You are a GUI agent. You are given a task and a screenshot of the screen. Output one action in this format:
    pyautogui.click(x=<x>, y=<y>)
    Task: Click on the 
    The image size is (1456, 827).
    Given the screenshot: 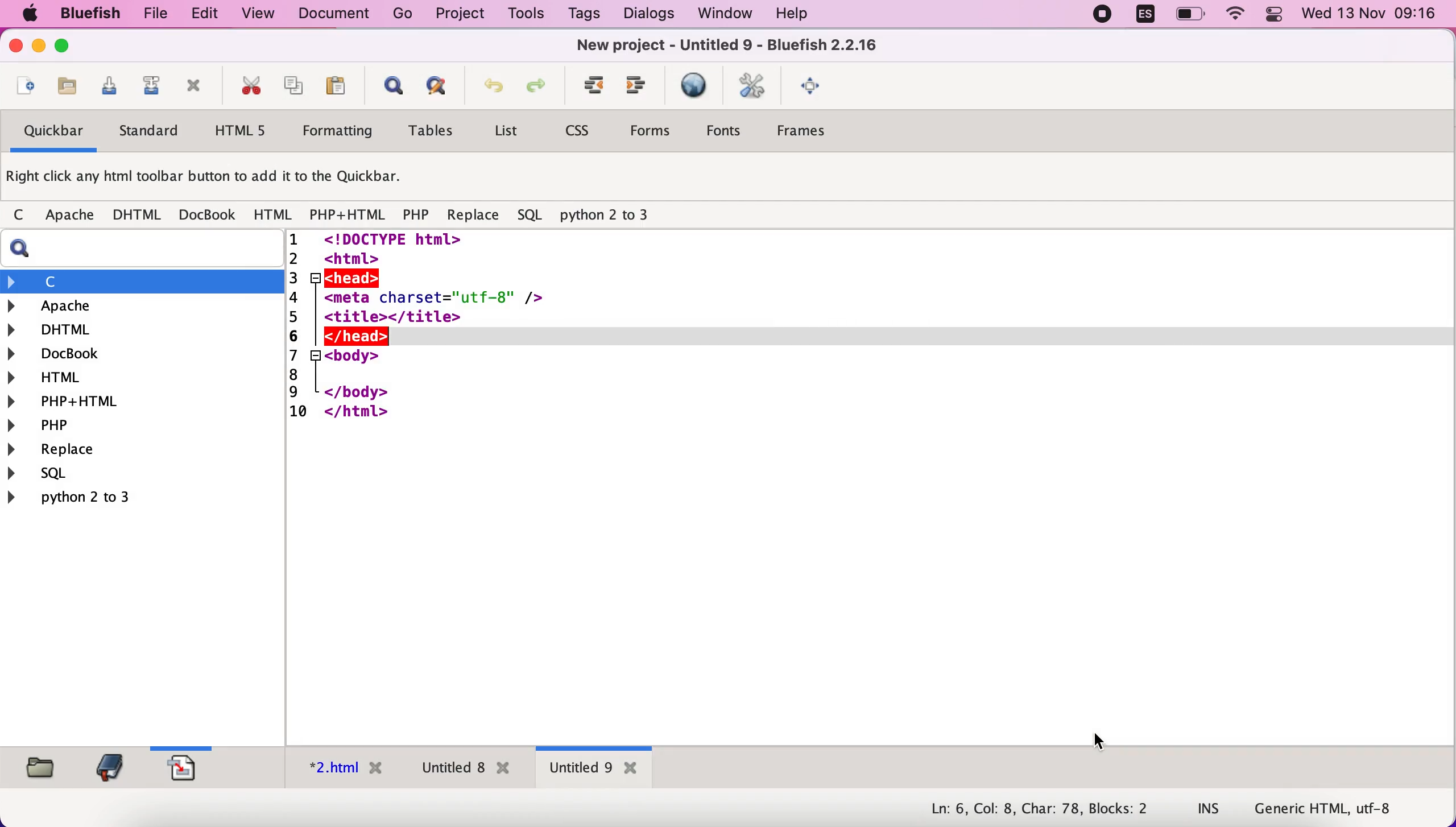 What is the action you would take?
    pyautogui.click(x=190, y=86)
    